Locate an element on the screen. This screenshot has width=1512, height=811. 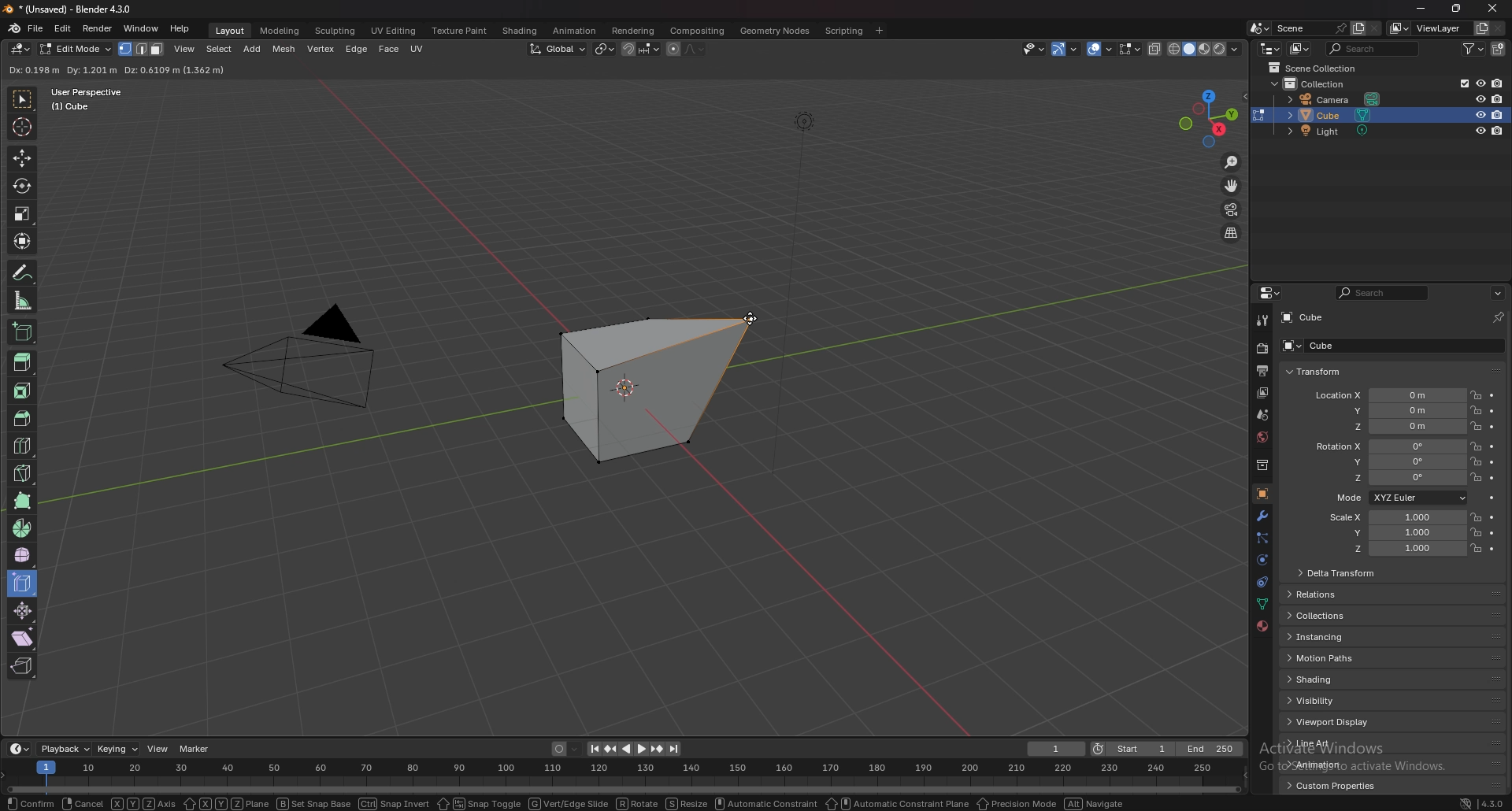
transform is located at coordinates (23, 240).